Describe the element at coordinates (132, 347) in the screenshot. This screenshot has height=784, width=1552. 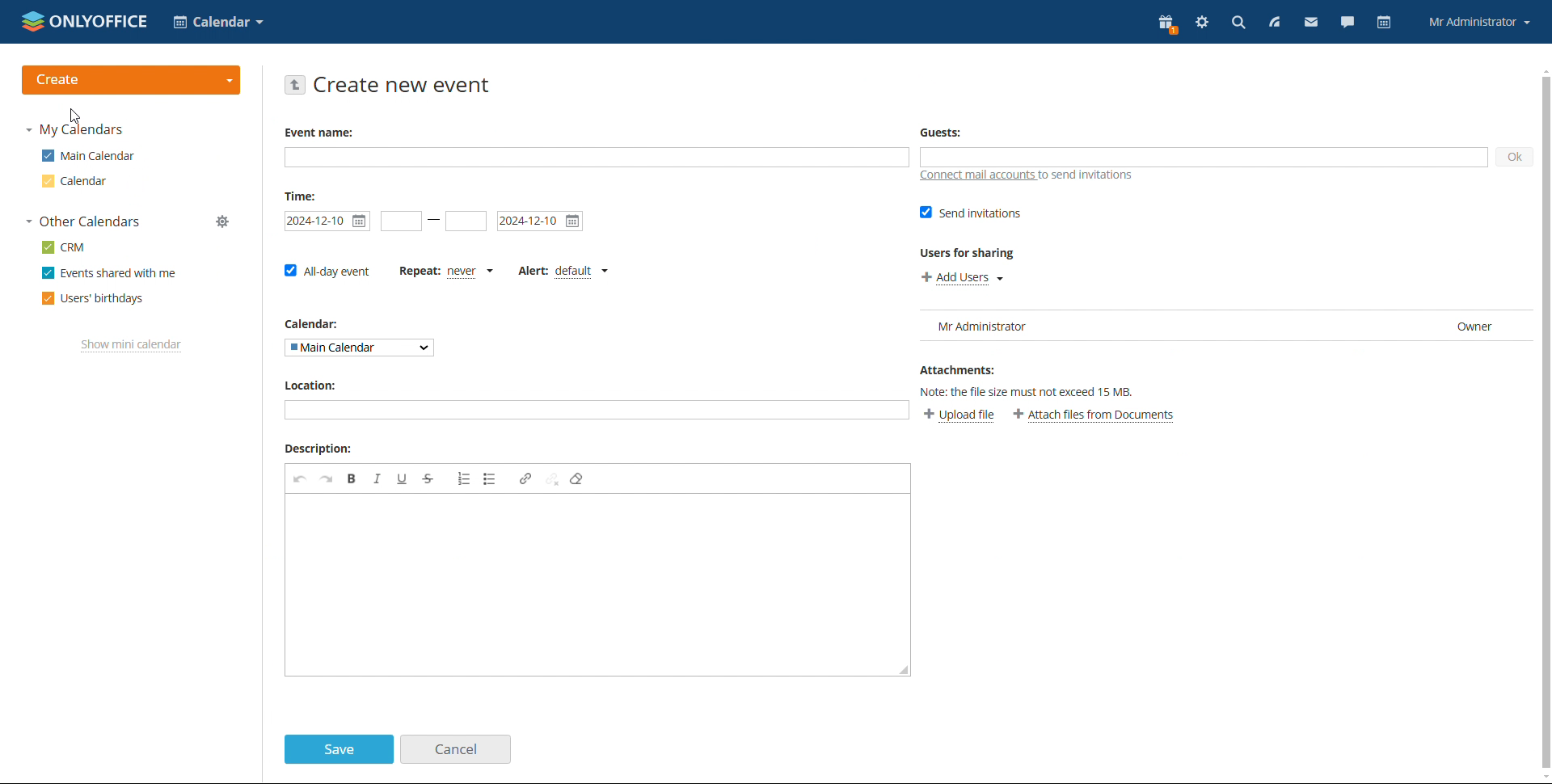
I see `show mini calendar` at that location.